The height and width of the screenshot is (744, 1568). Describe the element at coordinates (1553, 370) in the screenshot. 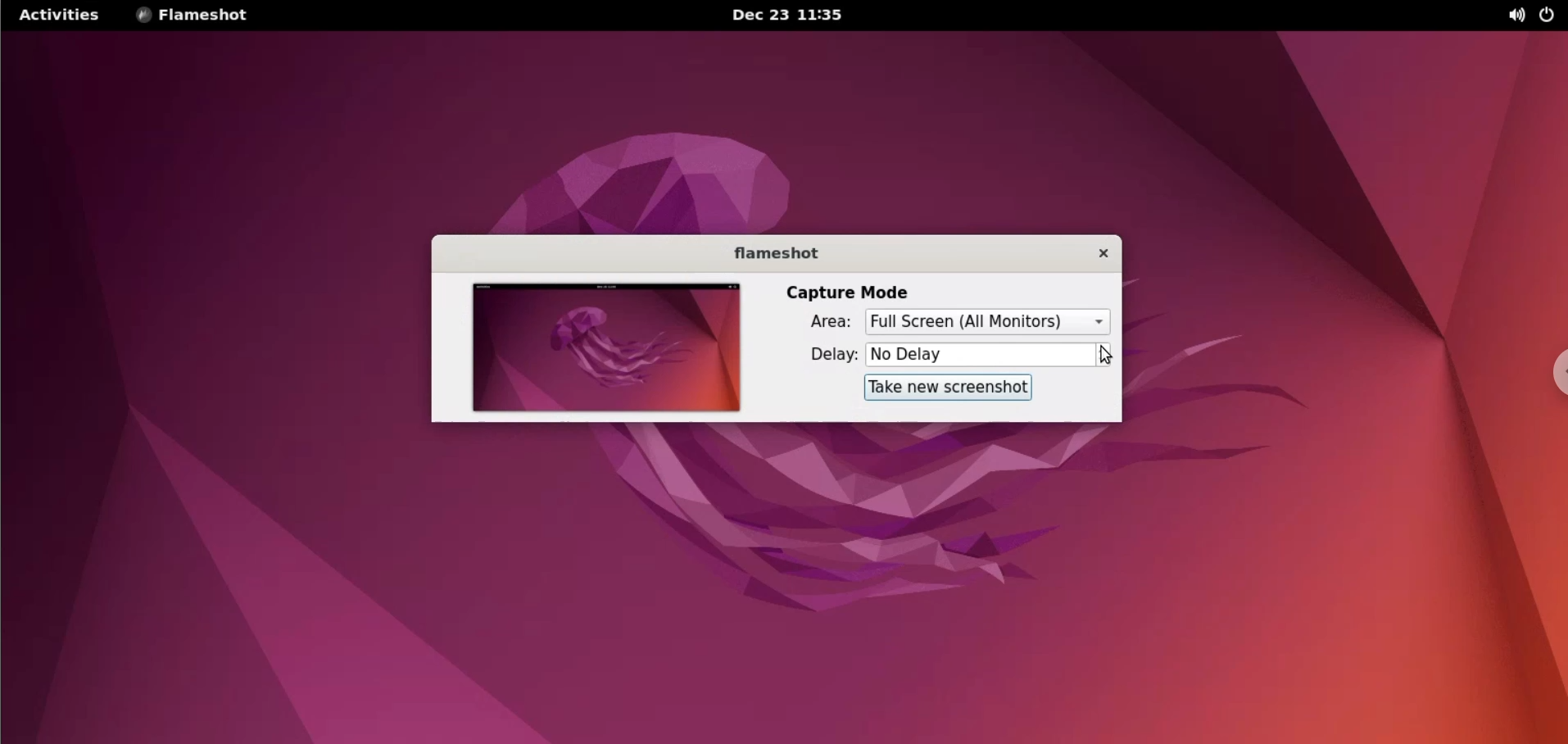

I see `chrome options` at that location.